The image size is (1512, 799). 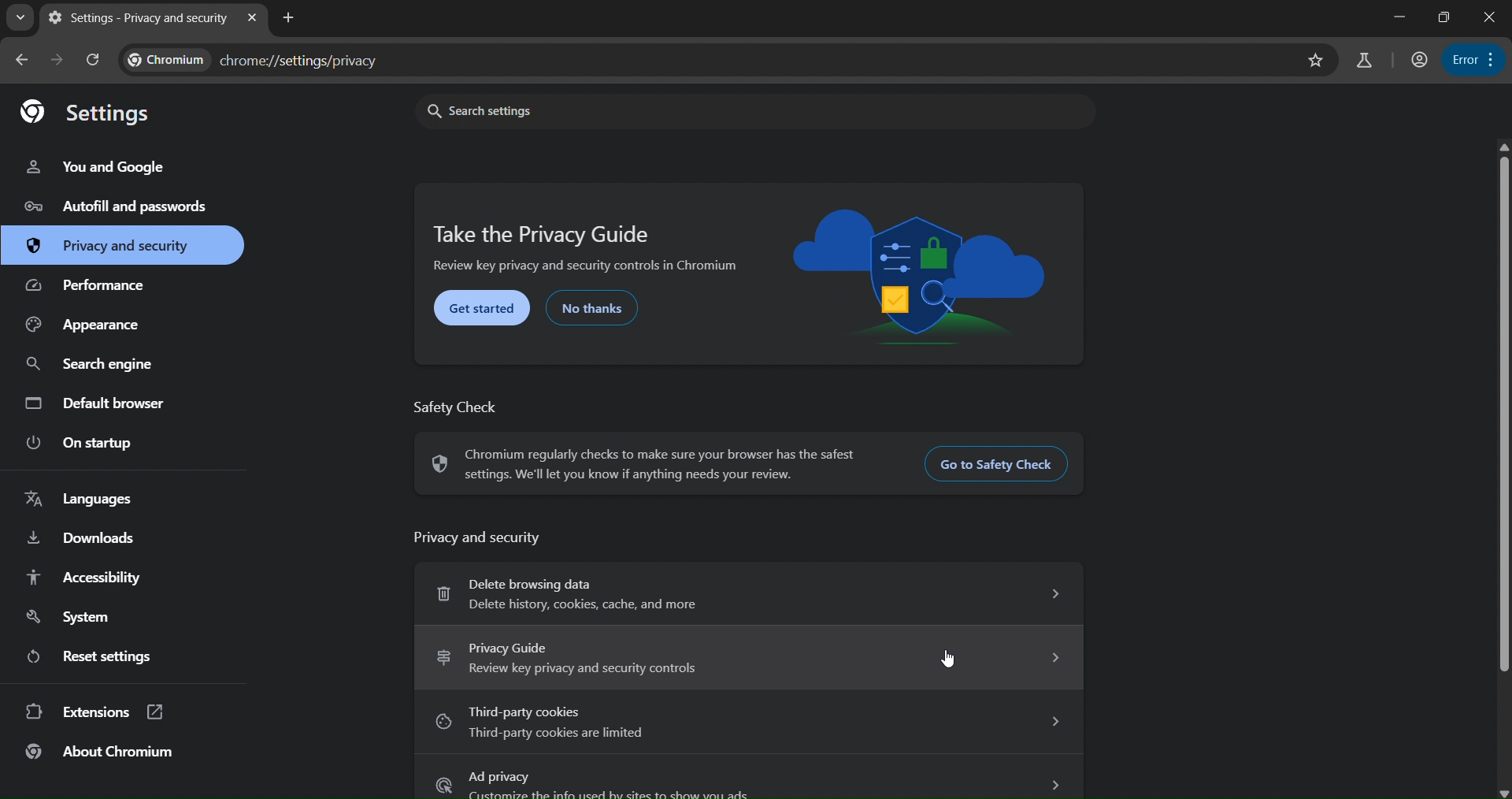 What do you see at coordinates (100, 752) in the screenshot?
I see `about chromium` at bounding box center [100, 752].